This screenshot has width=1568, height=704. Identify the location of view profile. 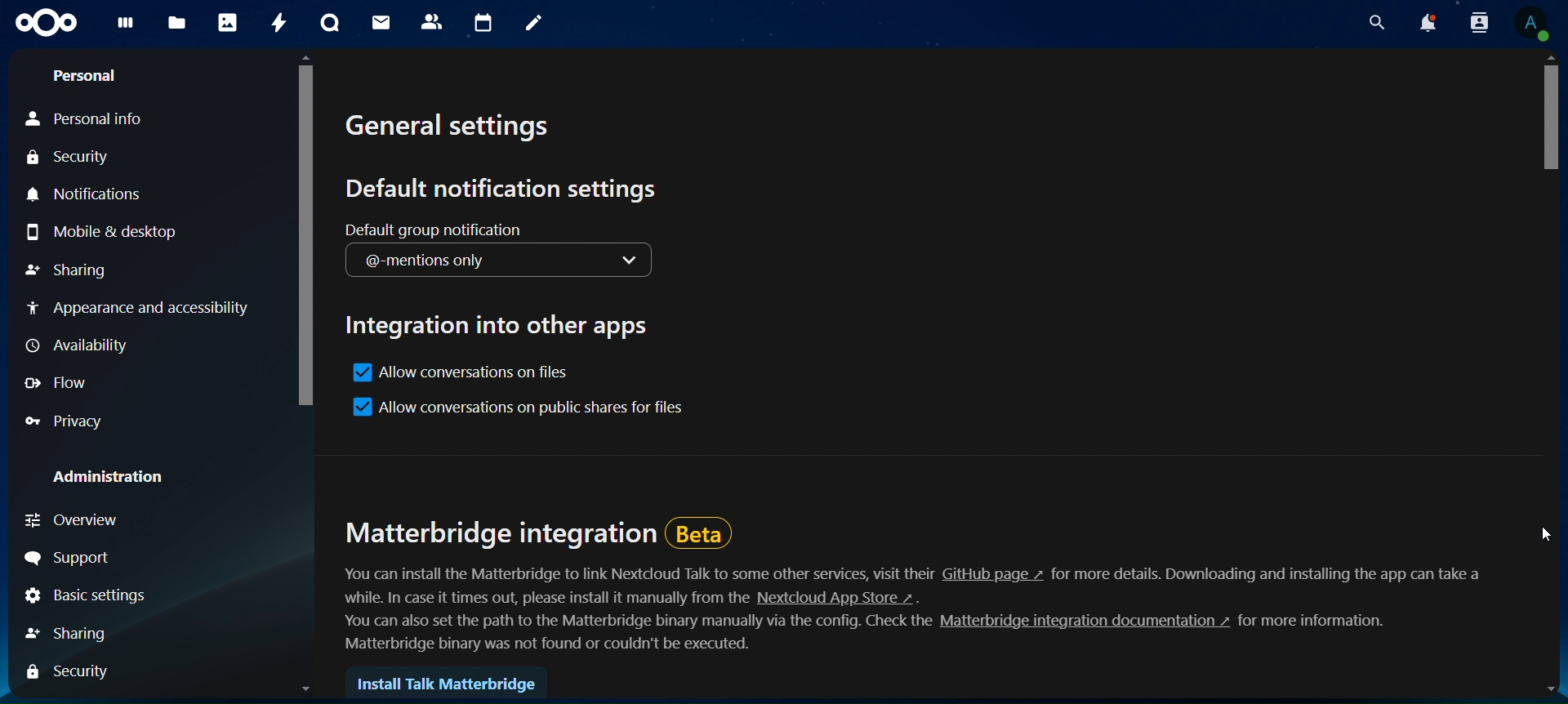
(1534, 25).